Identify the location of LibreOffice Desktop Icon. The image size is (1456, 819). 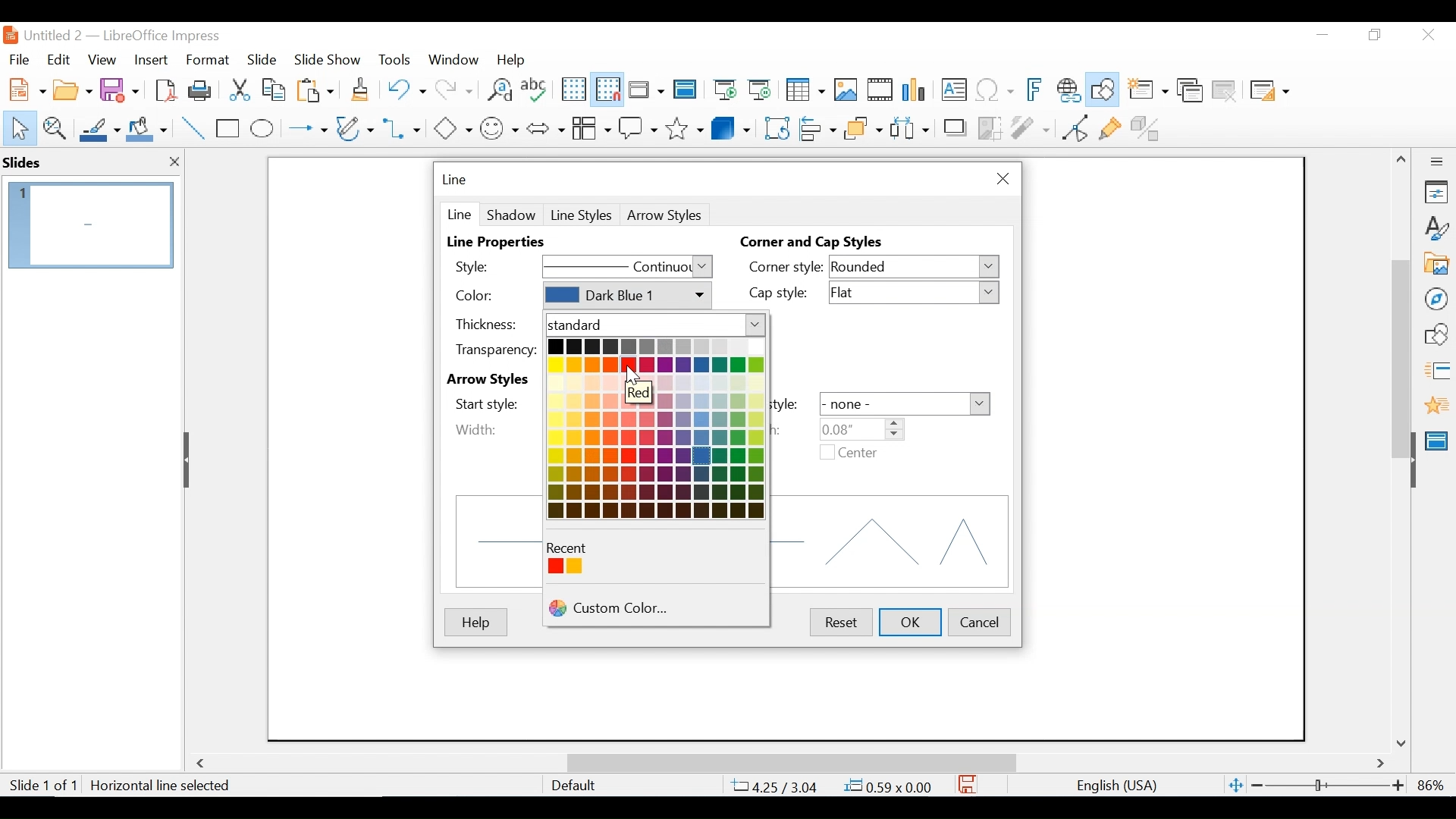
(9, 35).